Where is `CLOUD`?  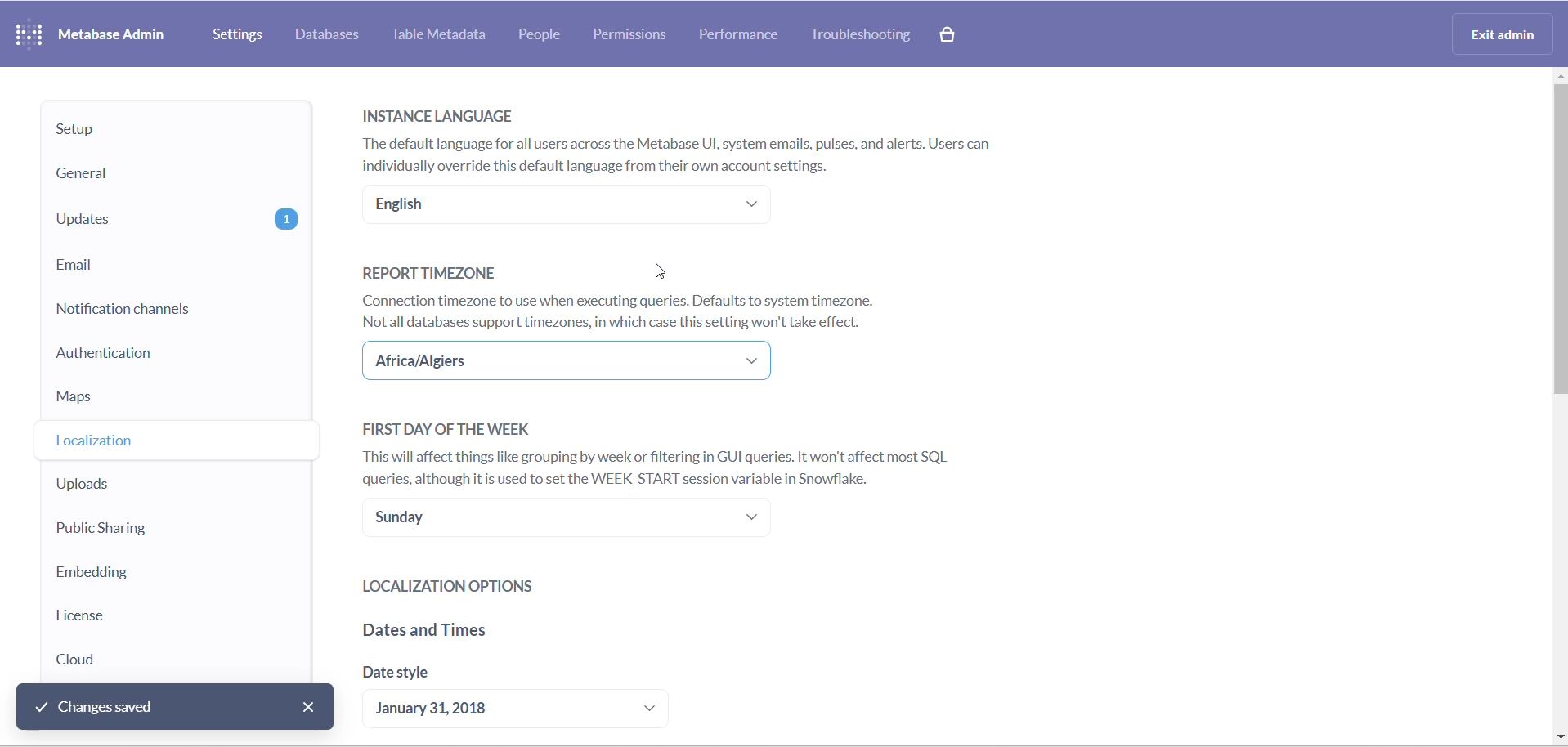
CLOUD is located at coordinates (132, 660).